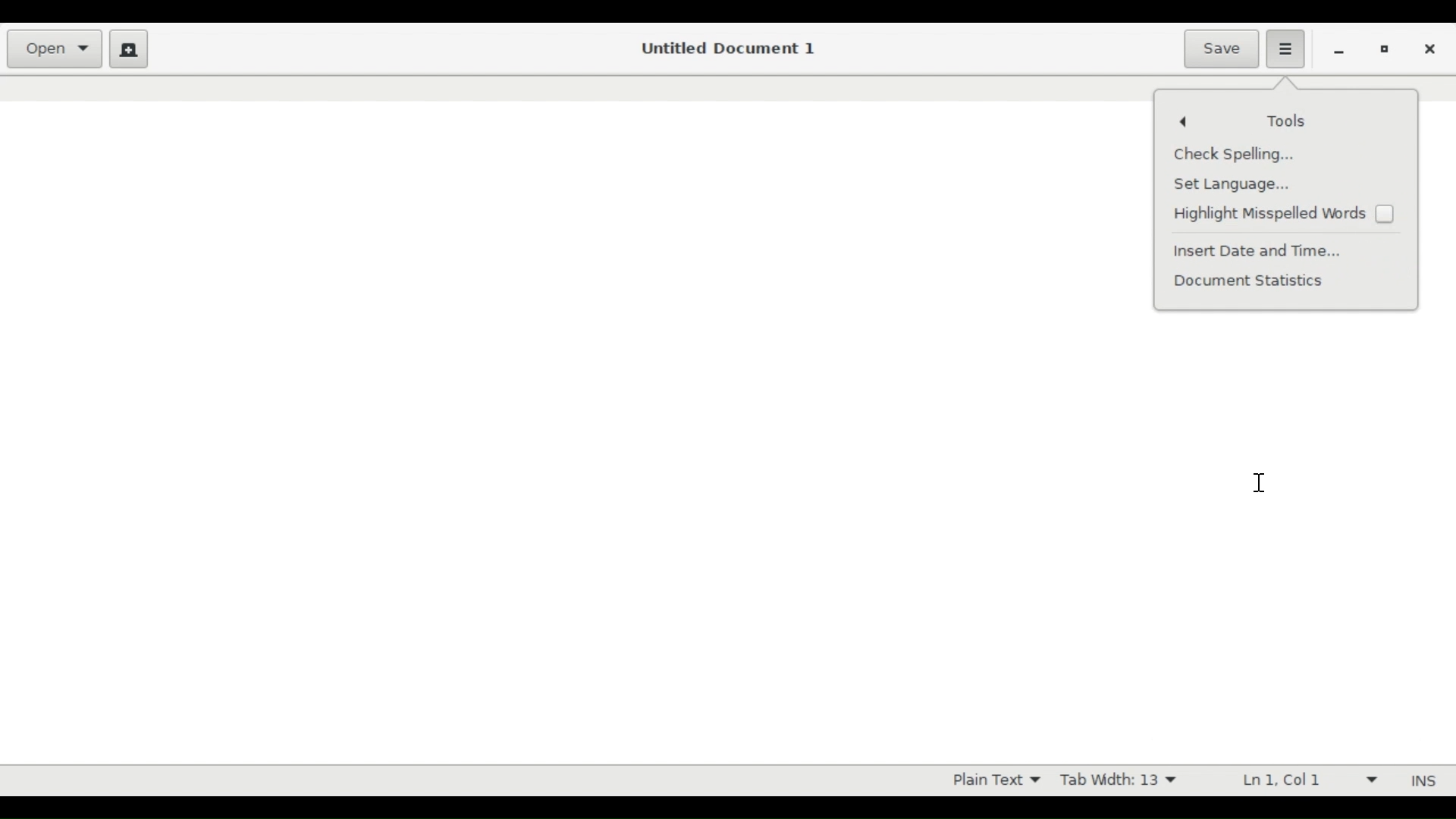  I want to click on Save, so click(1220, 49).